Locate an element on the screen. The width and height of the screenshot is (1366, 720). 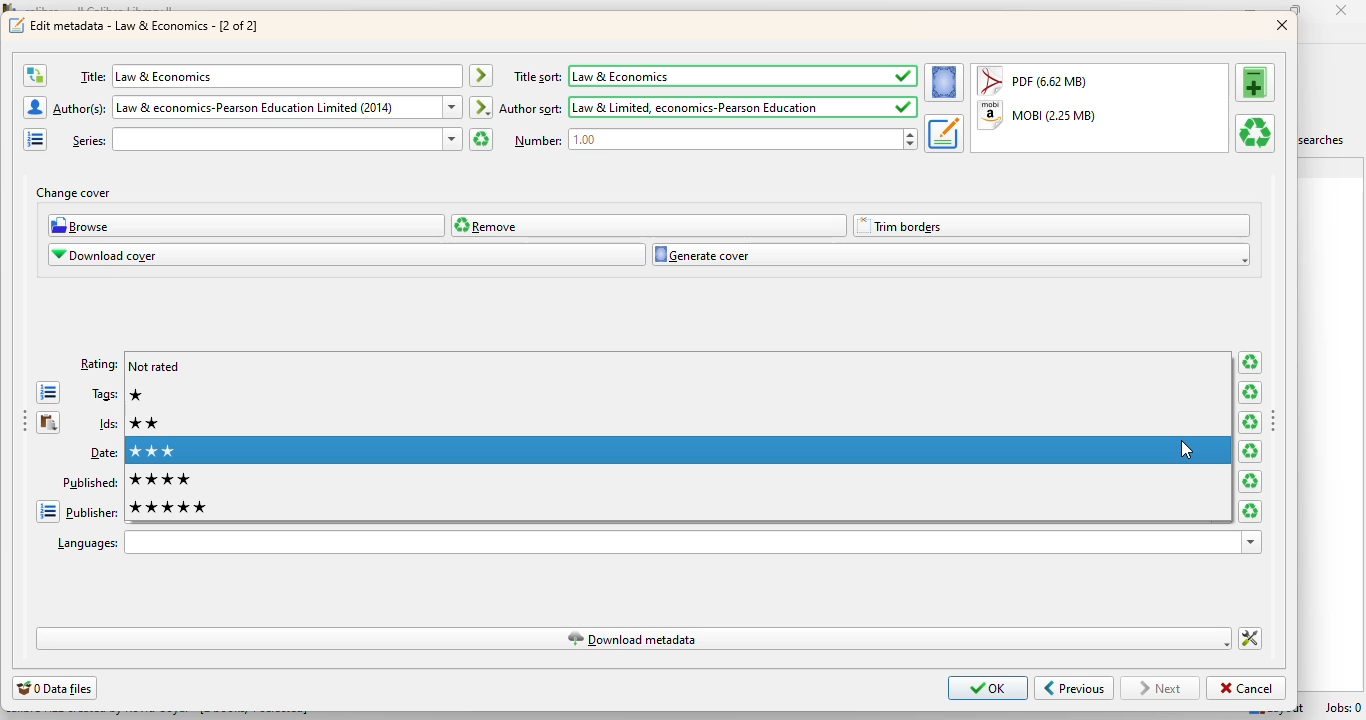
title: law & economics is located at coordinates (266, 76).